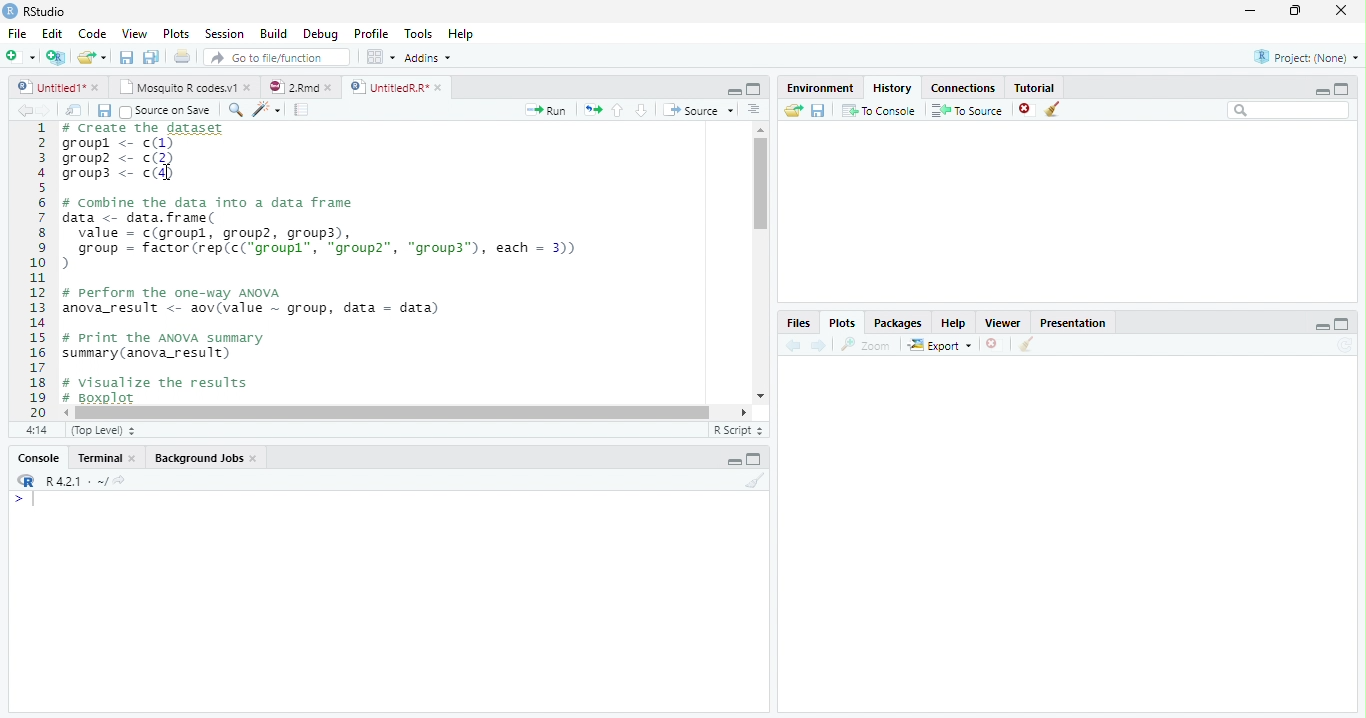 The image size is (1366, 718). I want to click on New file, so click(19, 56).